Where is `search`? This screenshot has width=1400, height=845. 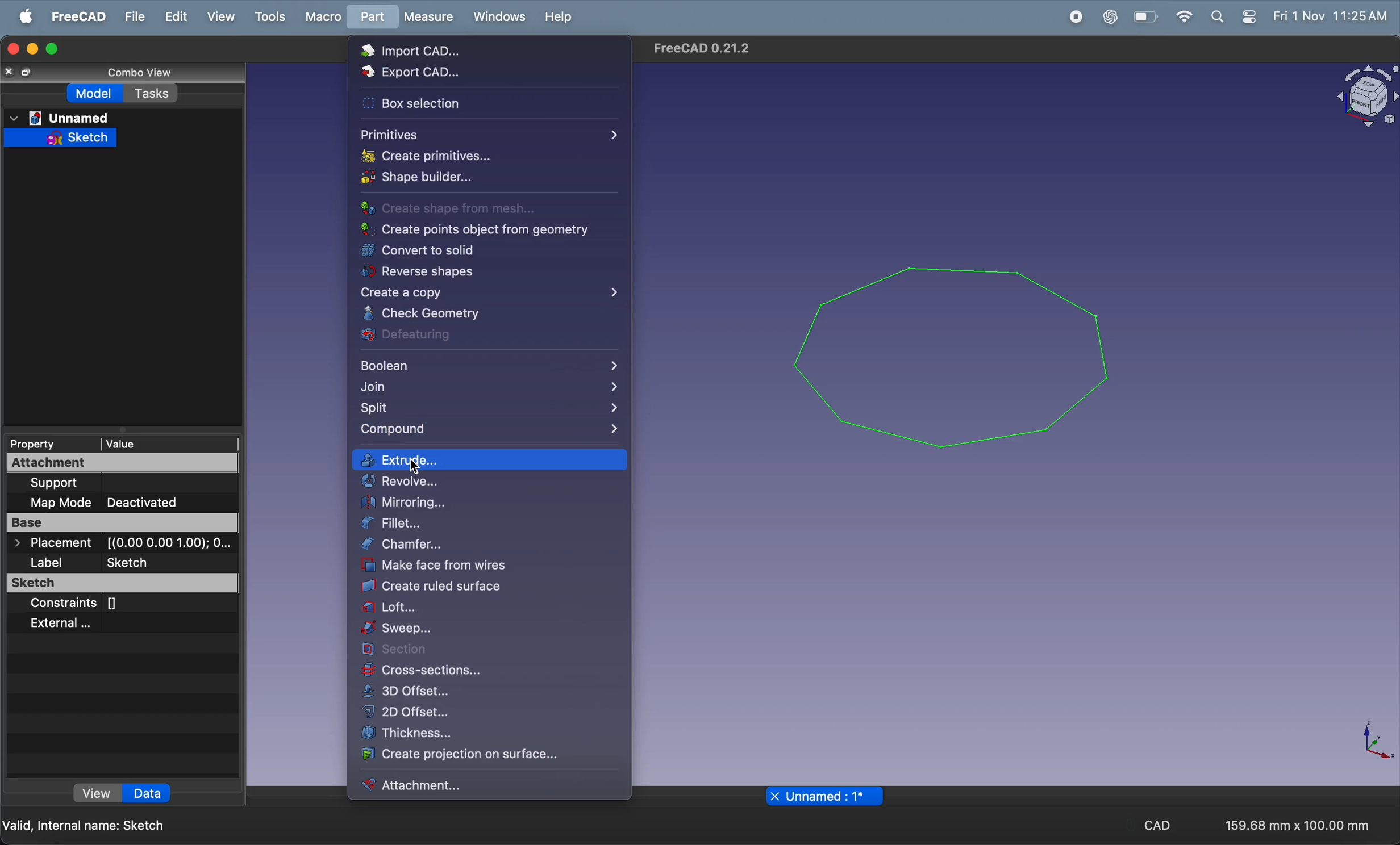 search is located at coordinates (1217, 16).